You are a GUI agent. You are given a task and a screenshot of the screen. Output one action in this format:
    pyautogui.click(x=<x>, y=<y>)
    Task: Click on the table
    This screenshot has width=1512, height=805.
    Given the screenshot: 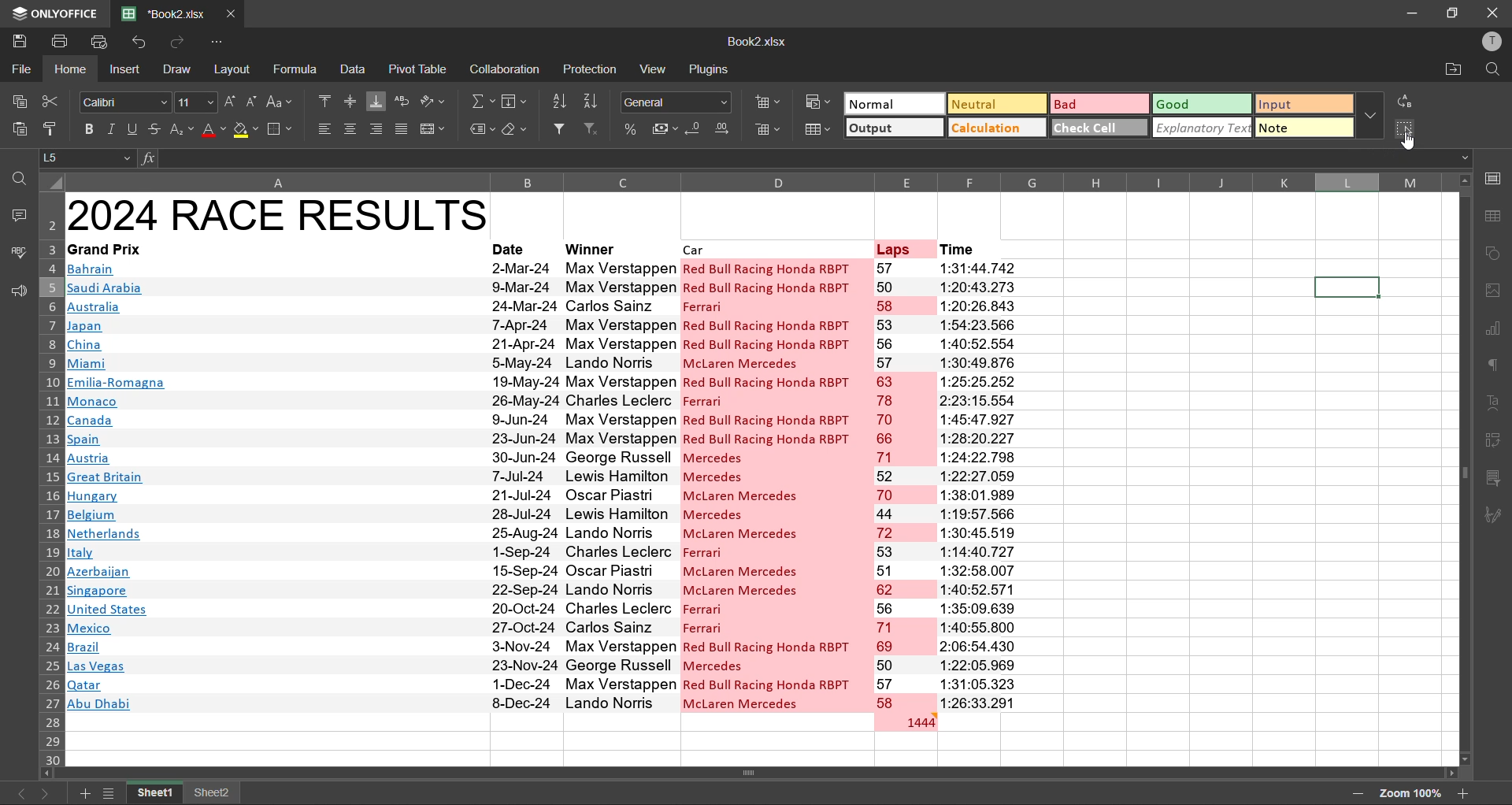 What is the action you would take?
    pyautogui.click(x=1492, y=217)
    